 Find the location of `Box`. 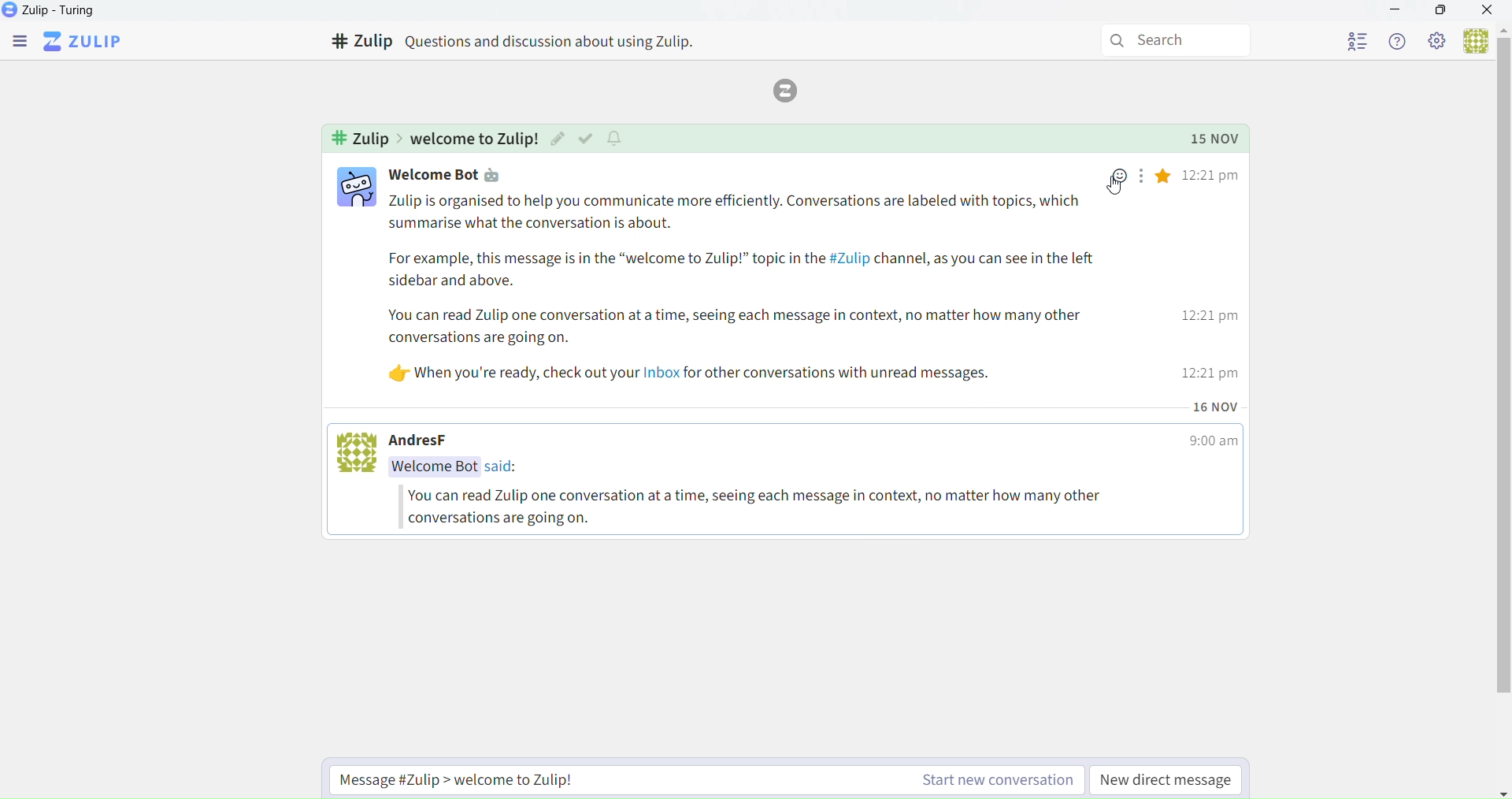

Box is located at coordinates (1442, 13).